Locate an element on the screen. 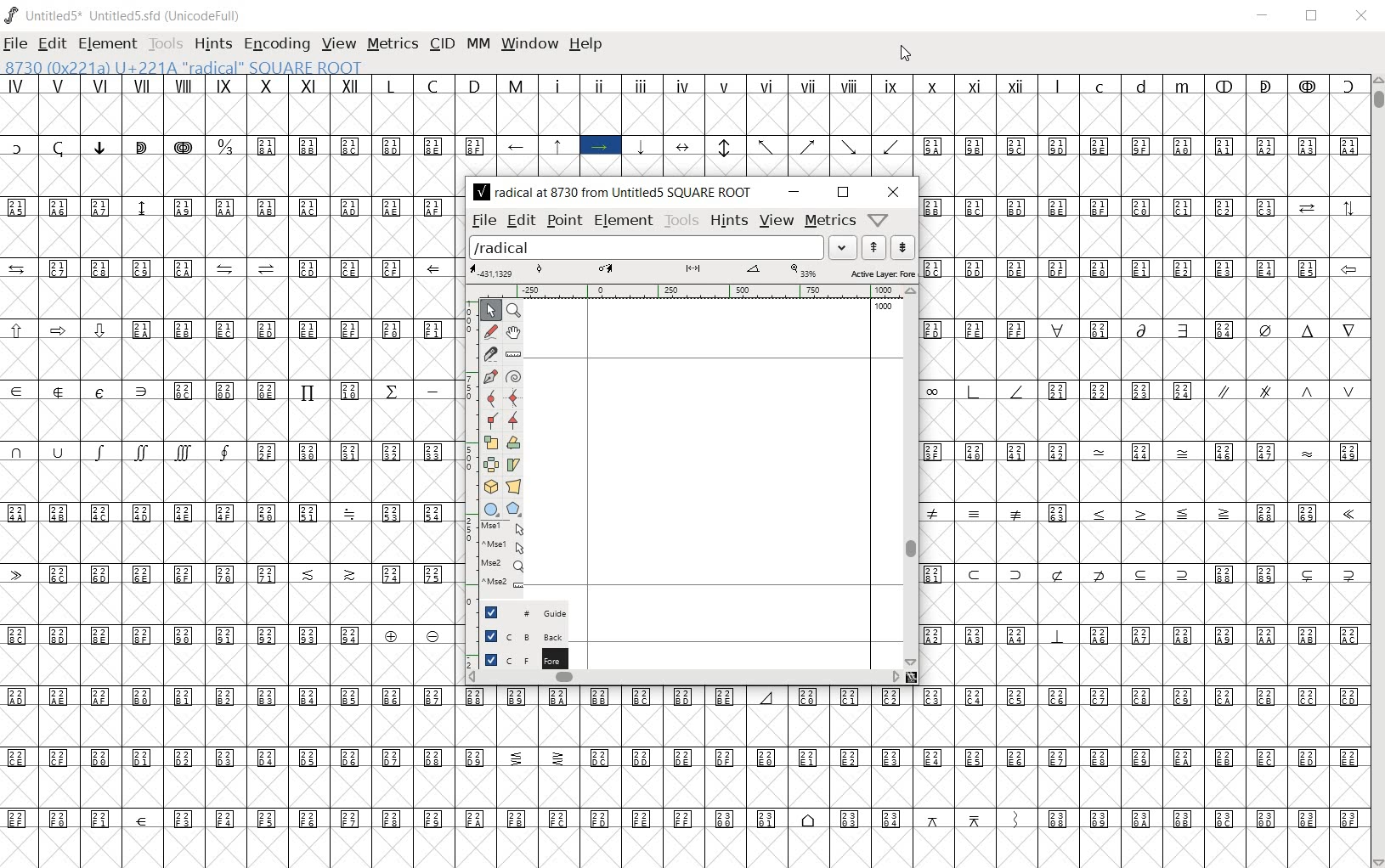 The width and height of the screenshot is (1385, 868). rotate the selection is located at coordinates (512, 442).